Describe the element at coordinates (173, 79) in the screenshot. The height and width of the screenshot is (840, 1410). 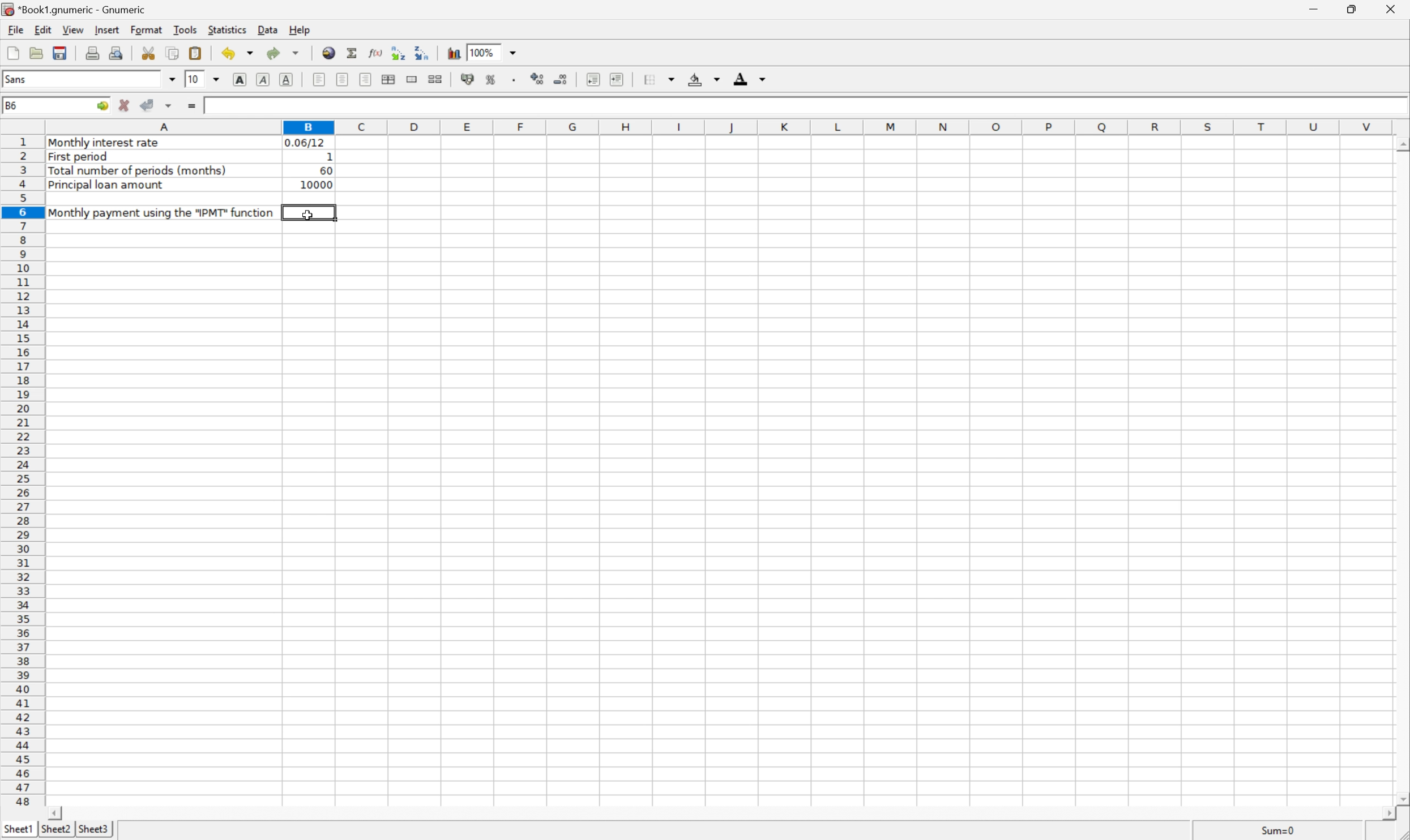
I see `Drop Down` at that location.